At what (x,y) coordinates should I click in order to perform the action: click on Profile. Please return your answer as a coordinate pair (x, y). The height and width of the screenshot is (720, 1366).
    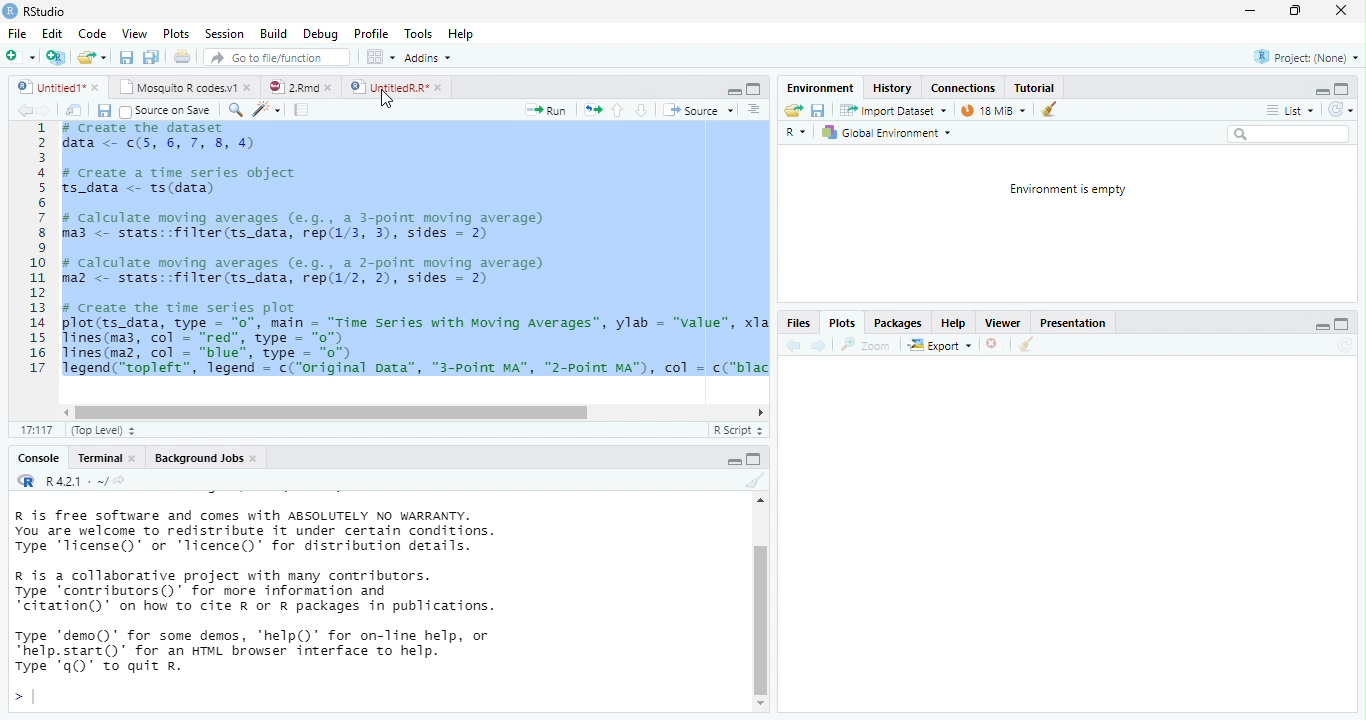
    Looking at the image, I should click on (371, 34).